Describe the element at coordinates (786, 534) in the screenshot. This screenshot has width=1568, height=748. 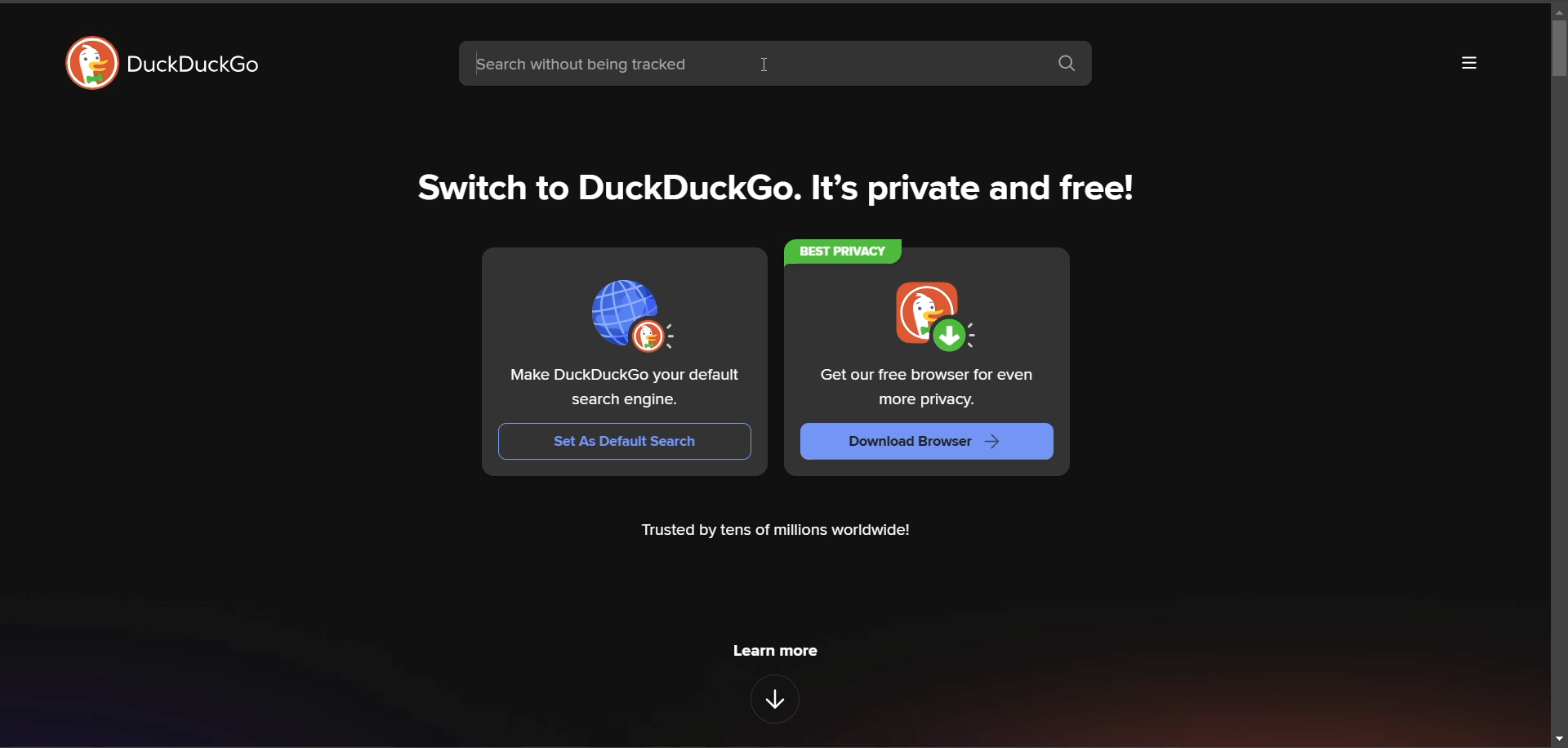
I see `Trusted by tens of millions worldwide!` at that location.